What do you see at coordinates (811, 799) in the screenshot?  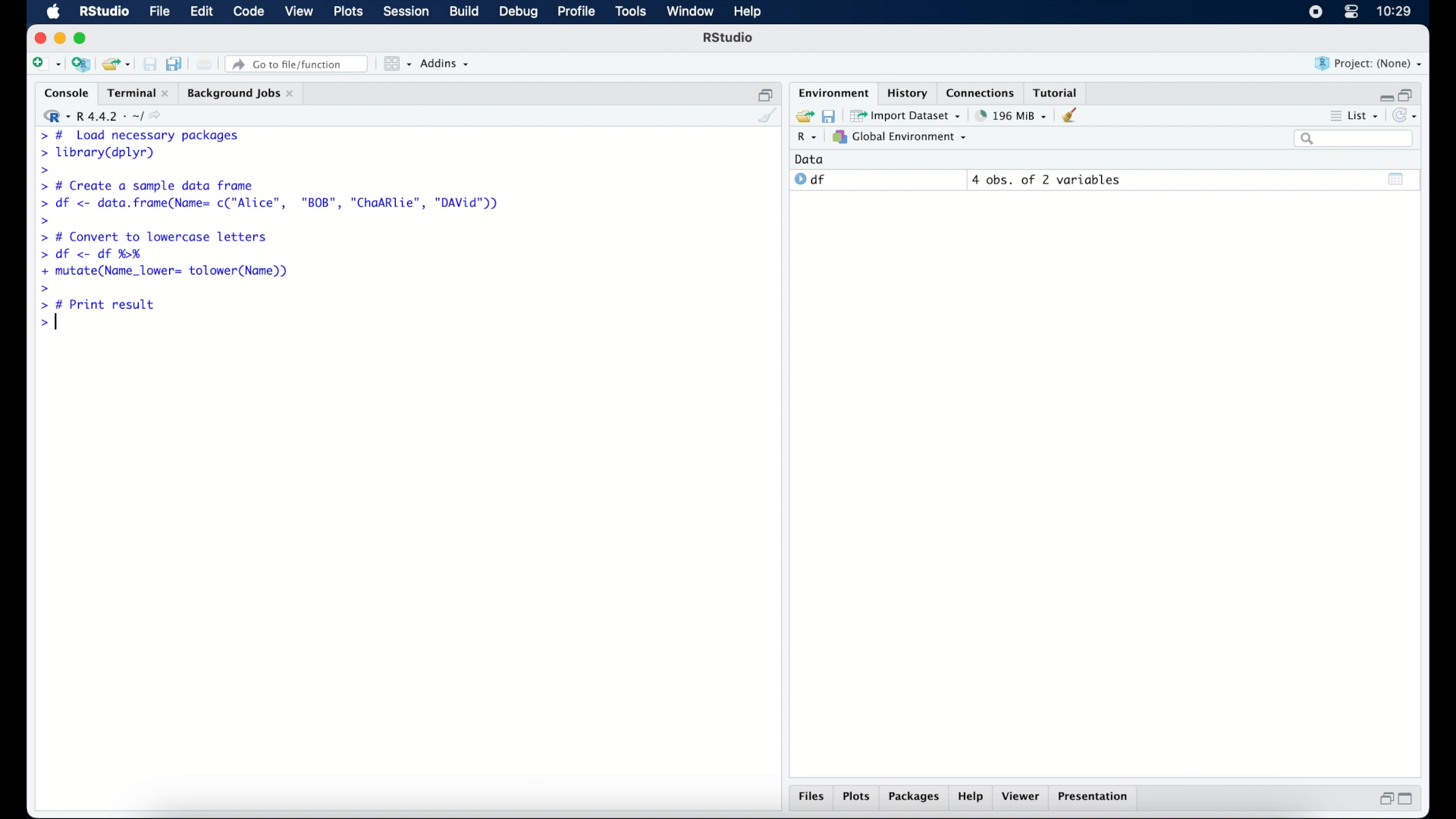 I see `files` at bounding box center [811, 799].